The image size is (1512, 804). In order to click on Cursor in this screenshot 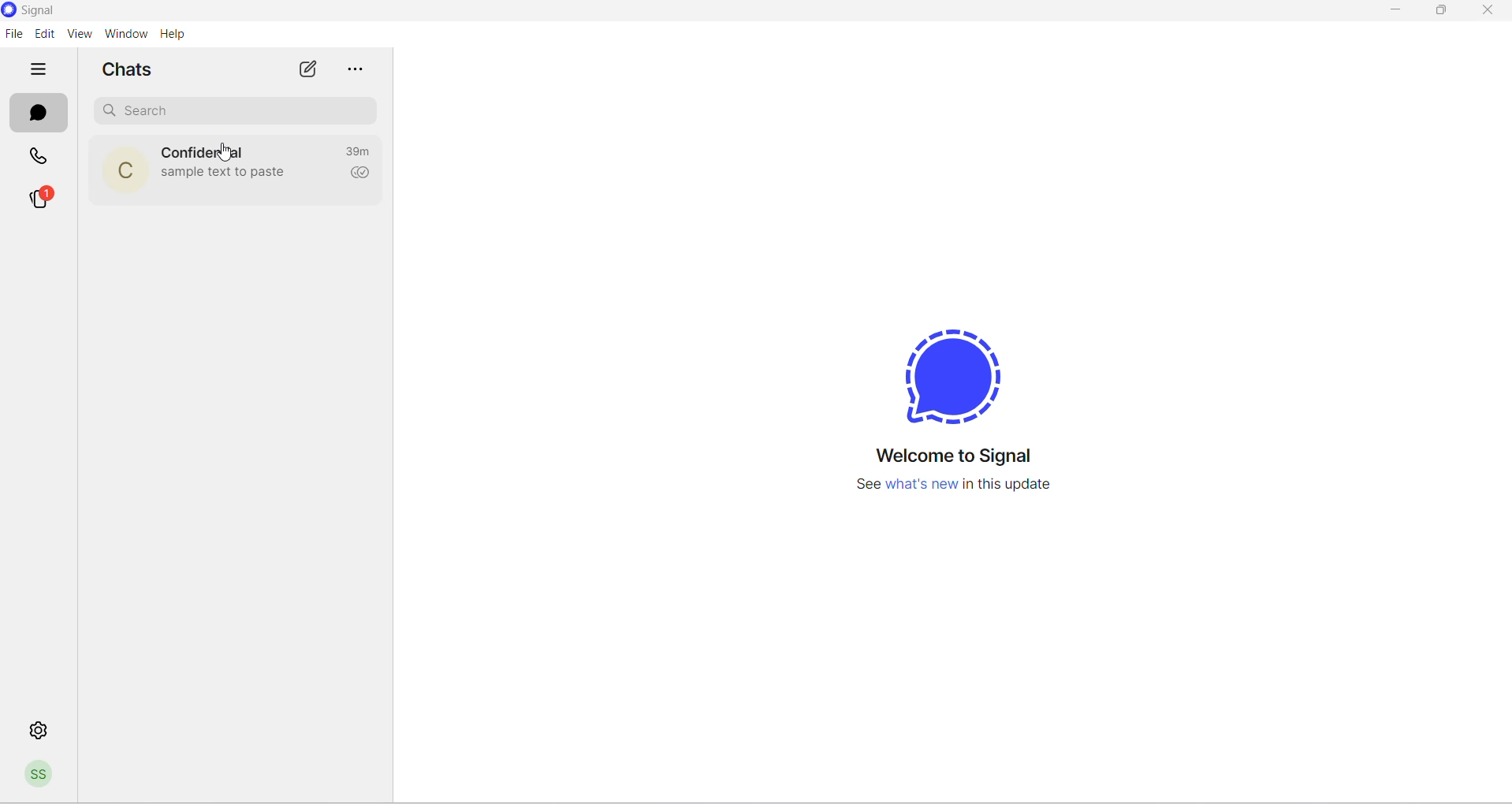, I will do `click(222, 153)`.